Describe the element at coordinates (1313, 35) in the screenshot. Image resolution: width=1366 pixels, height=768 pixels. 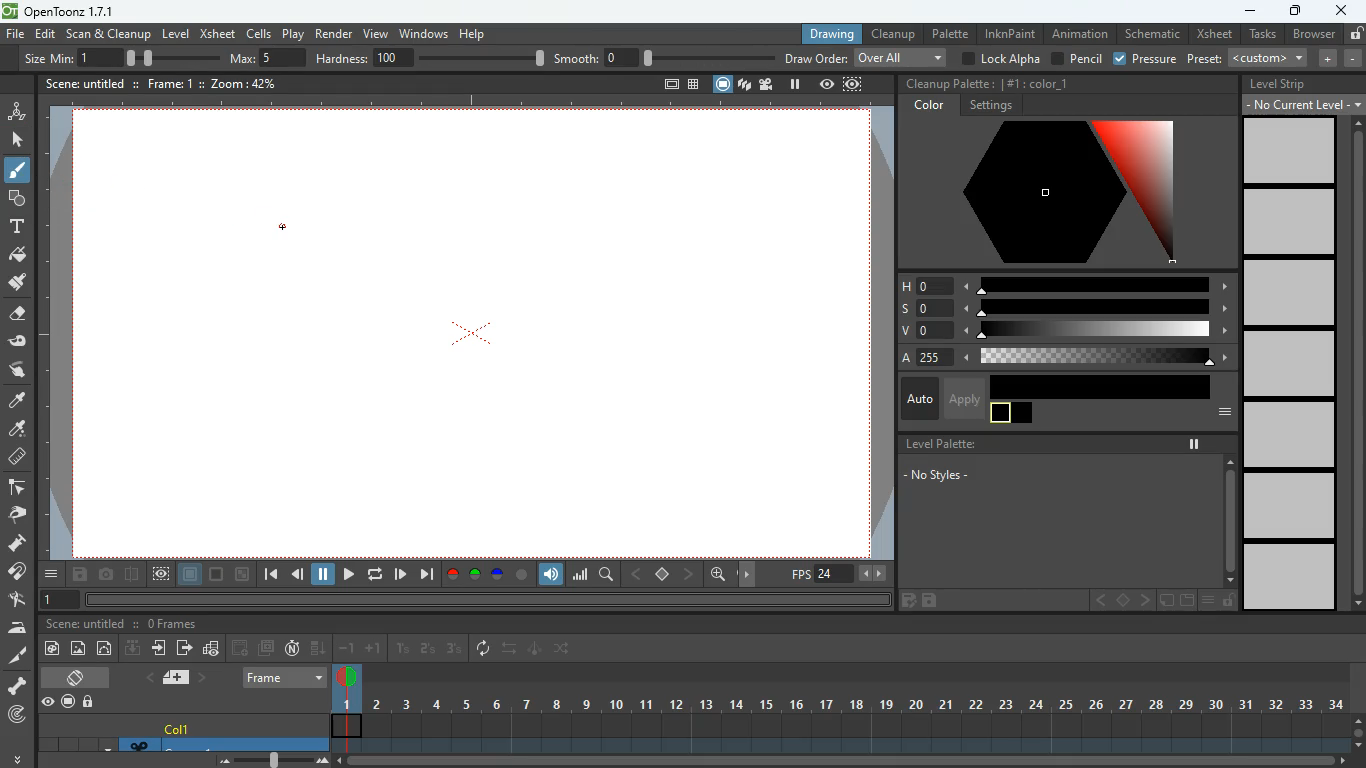
I see `browser` at that location.